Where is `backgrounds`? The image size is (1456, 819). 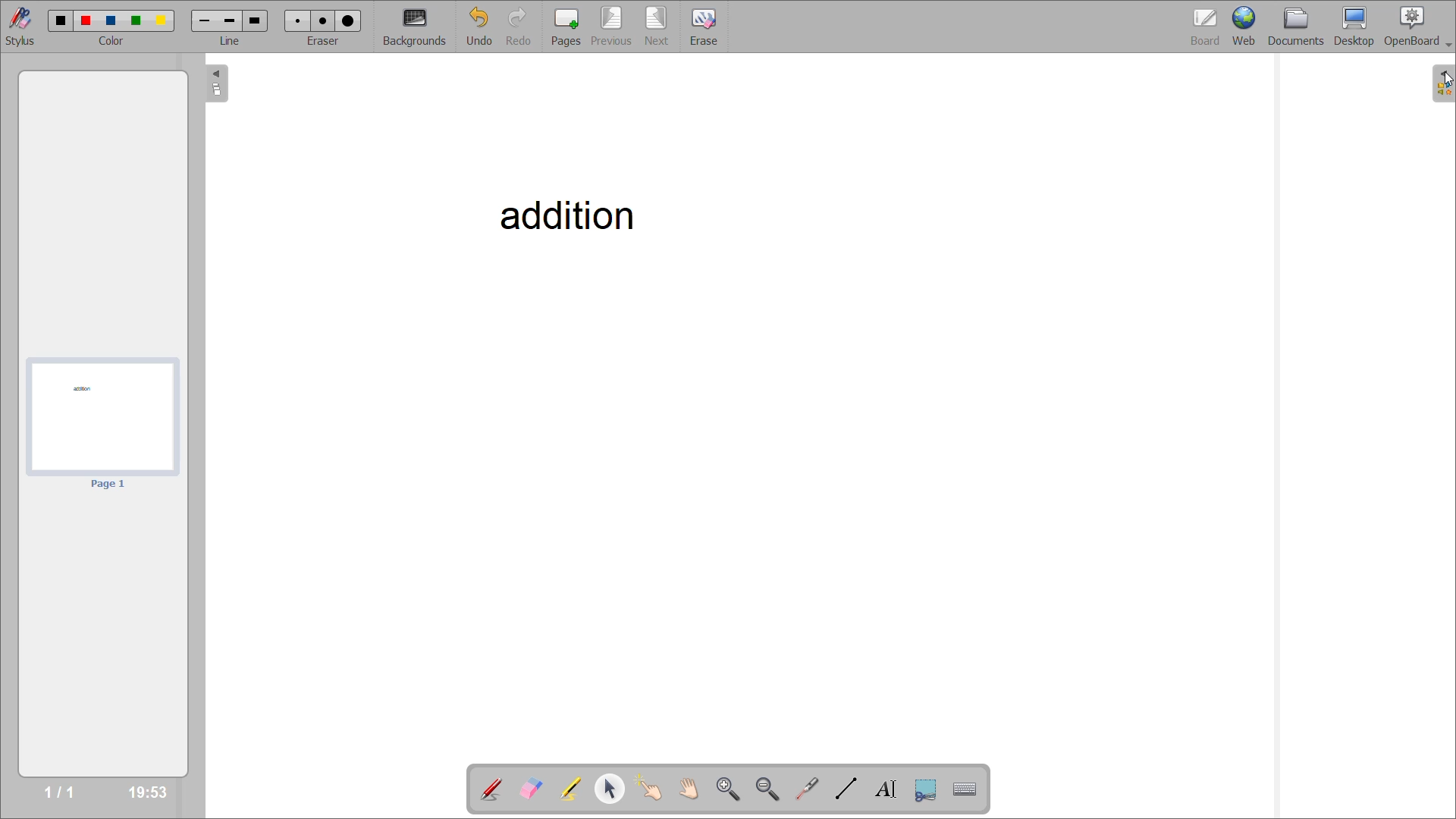
backgrounds is located at coordinates (421, 27).